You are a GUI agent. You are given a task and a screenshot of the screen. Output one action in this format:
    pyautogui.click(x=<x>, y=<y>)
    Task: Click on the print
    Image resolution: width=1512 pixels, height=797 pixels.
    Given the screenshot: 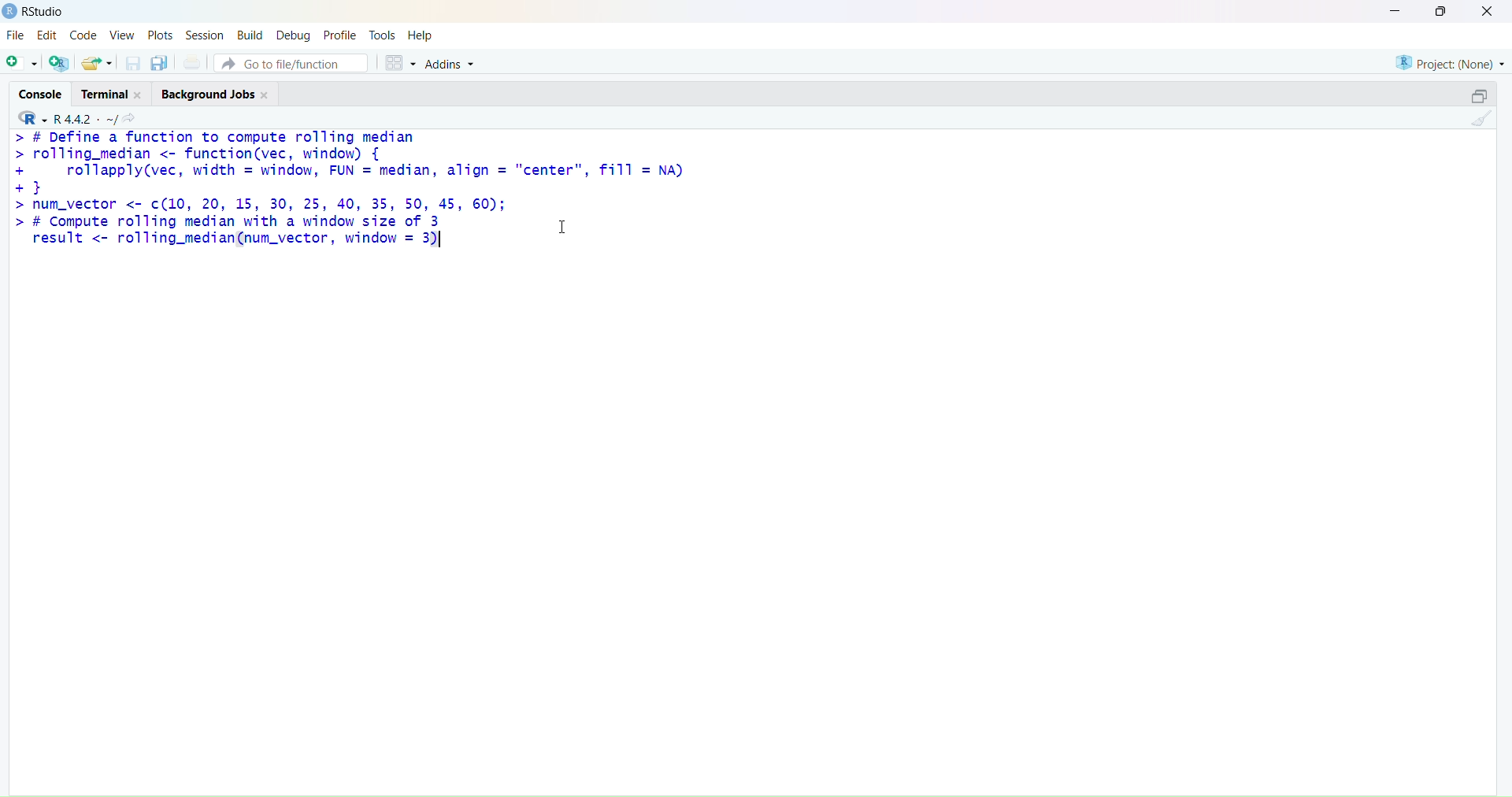 What is the action you would take?
    pyautogui.click(x=192, y=62)
    